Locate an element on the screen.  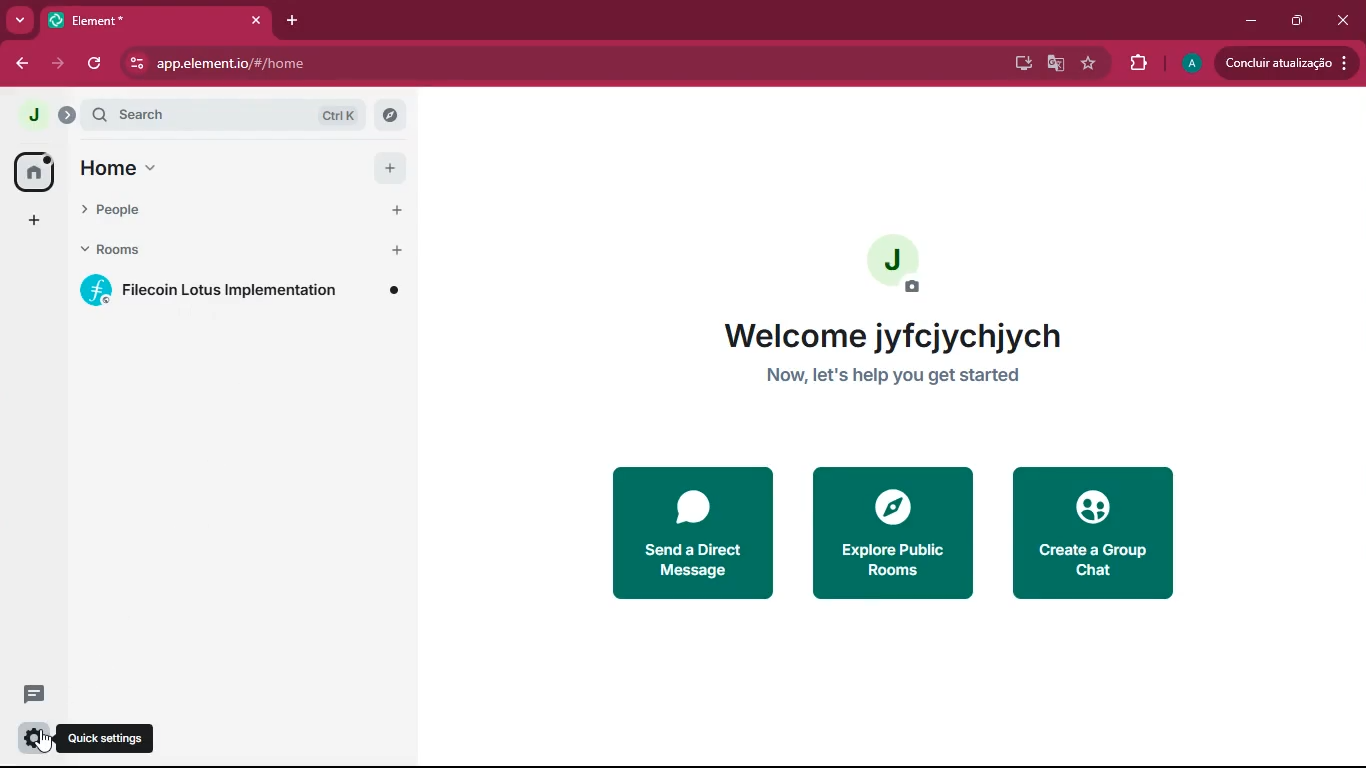
rooms is located at coordinates (220, 251).